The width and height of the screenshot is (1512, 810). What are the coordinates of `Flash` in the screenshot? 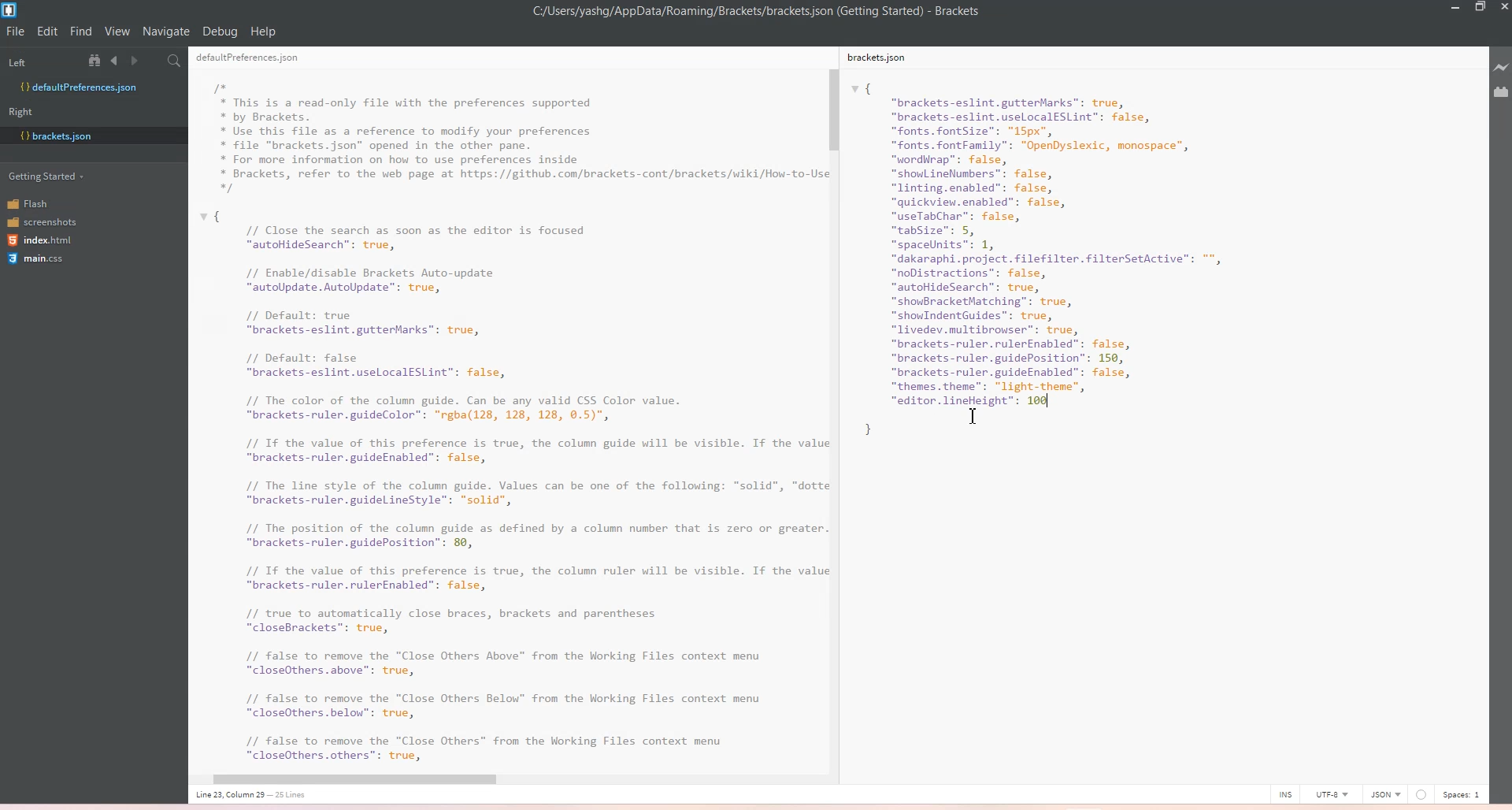 It's located at (39, 202).